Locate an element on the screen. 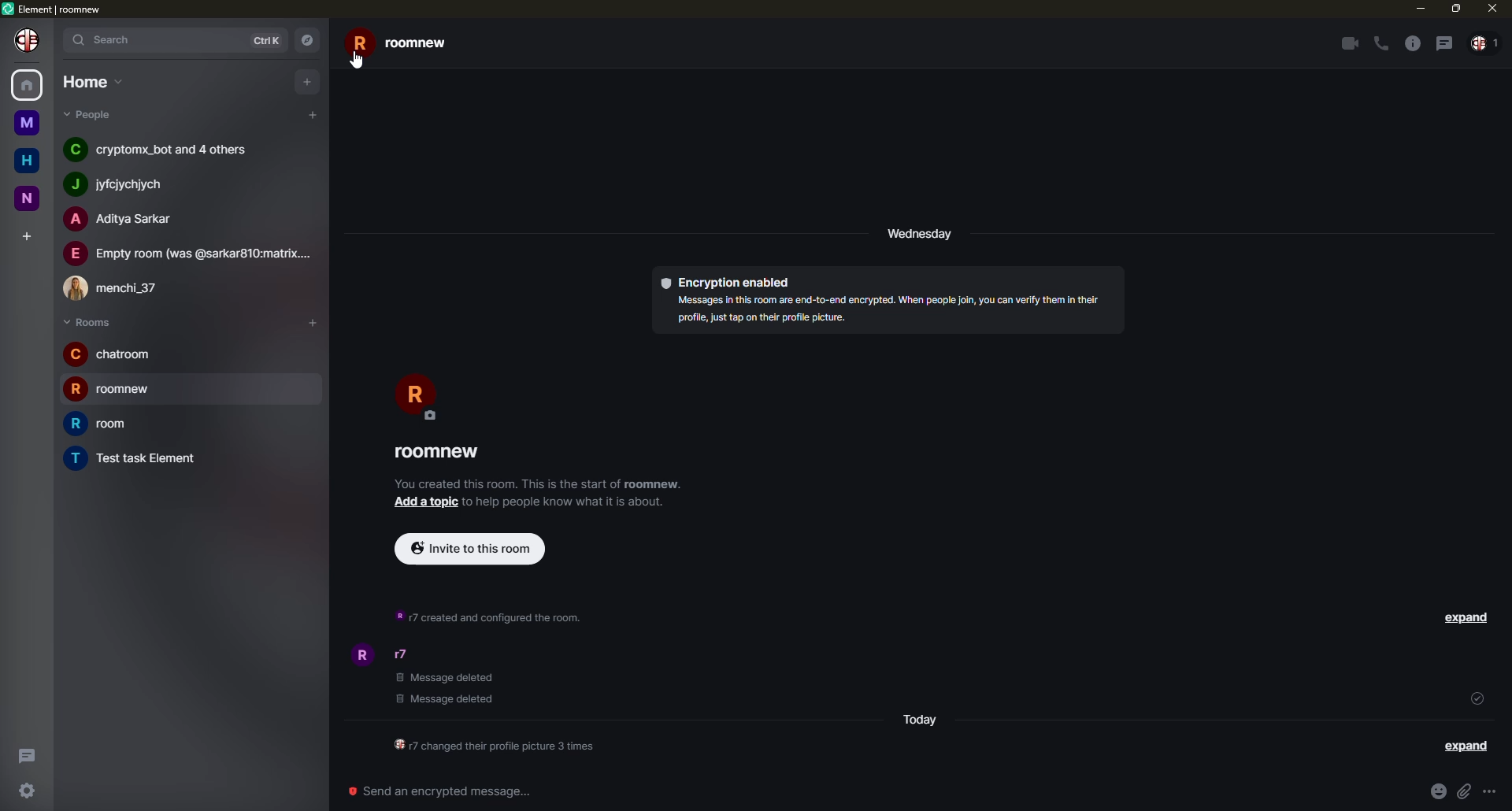 This screenshot has height=811, width=1512. add is located at coordinates (306, 82).